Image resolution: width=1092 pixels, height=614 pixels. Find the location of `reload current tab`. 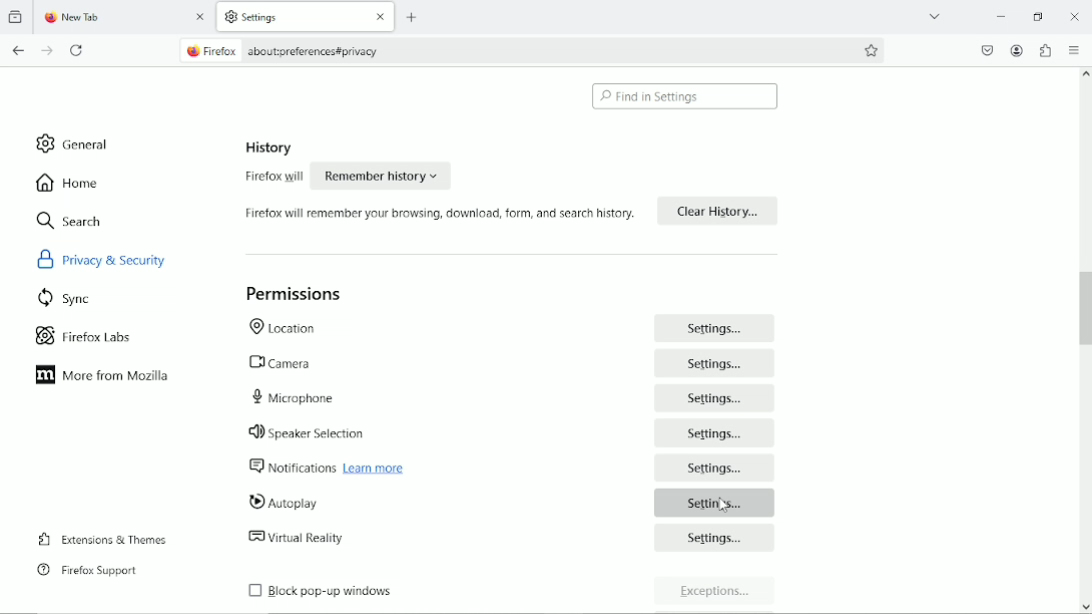

reload current tab is located at coordinates (78, 51).